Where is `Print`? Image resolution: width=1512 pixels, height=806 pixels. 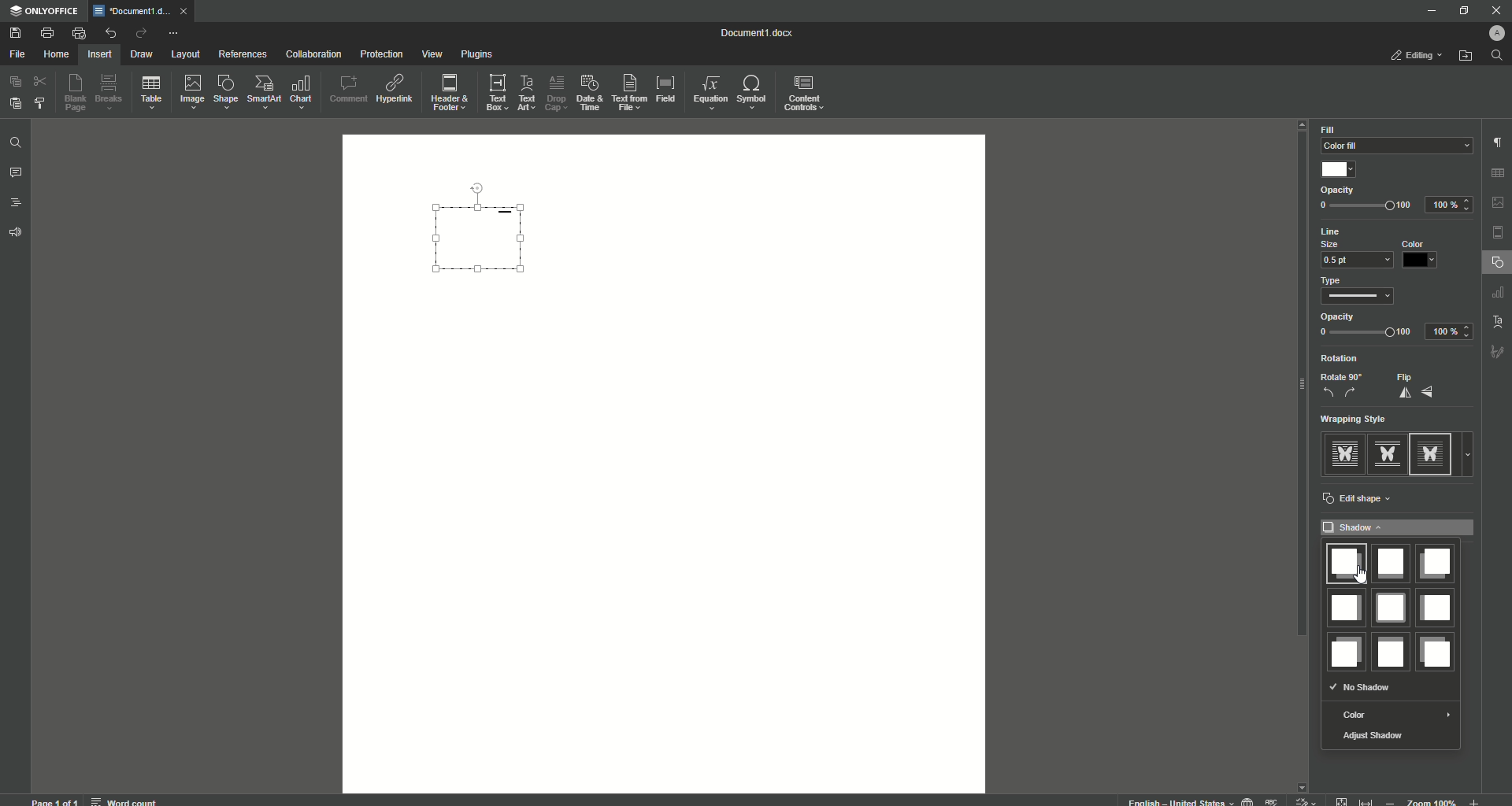 Print is located at coordinates (46, 33).